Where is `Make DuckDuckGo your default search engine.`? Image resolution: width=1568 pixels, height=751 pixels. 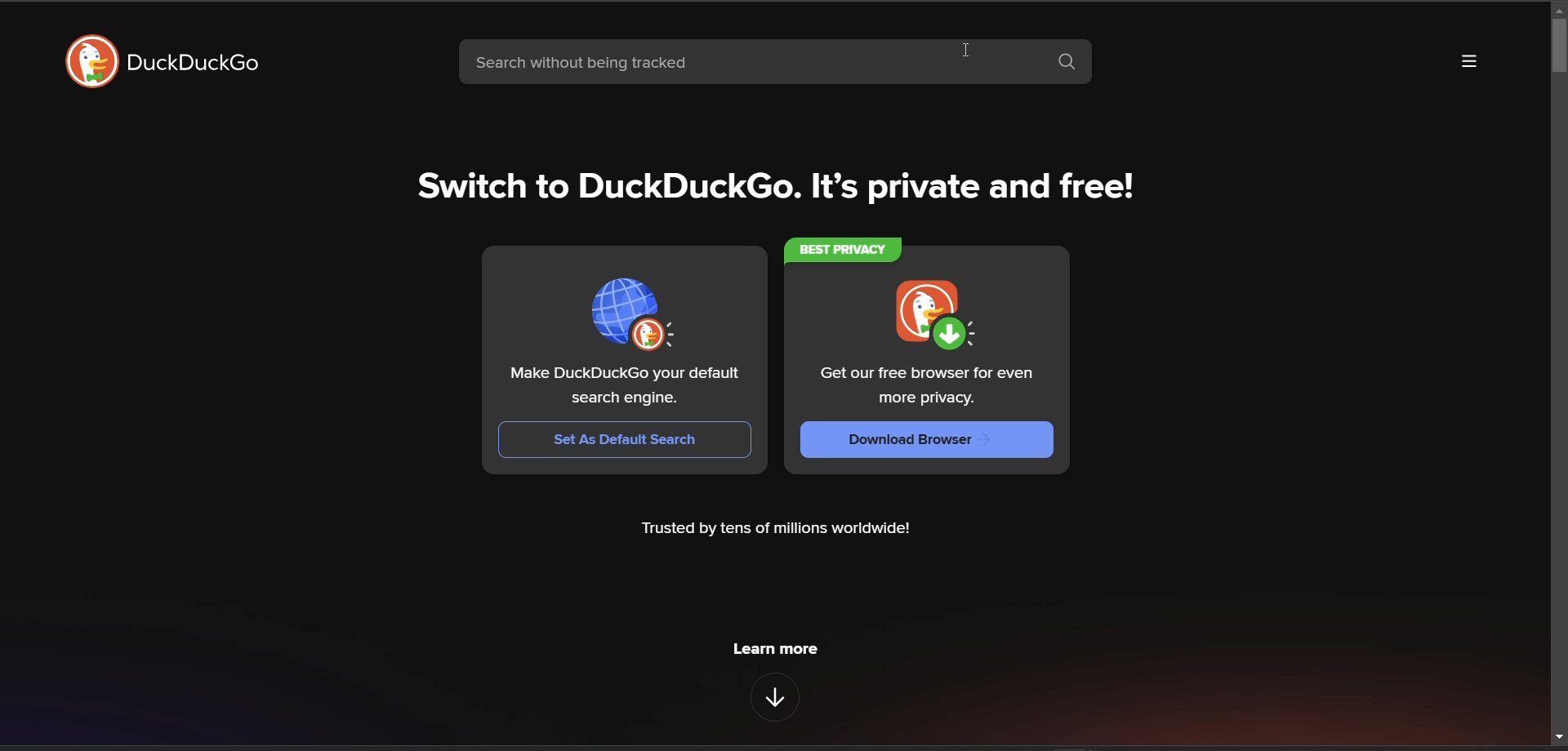 Make DuckDuckGo your default search engine. is located at coordinates (626, 386).